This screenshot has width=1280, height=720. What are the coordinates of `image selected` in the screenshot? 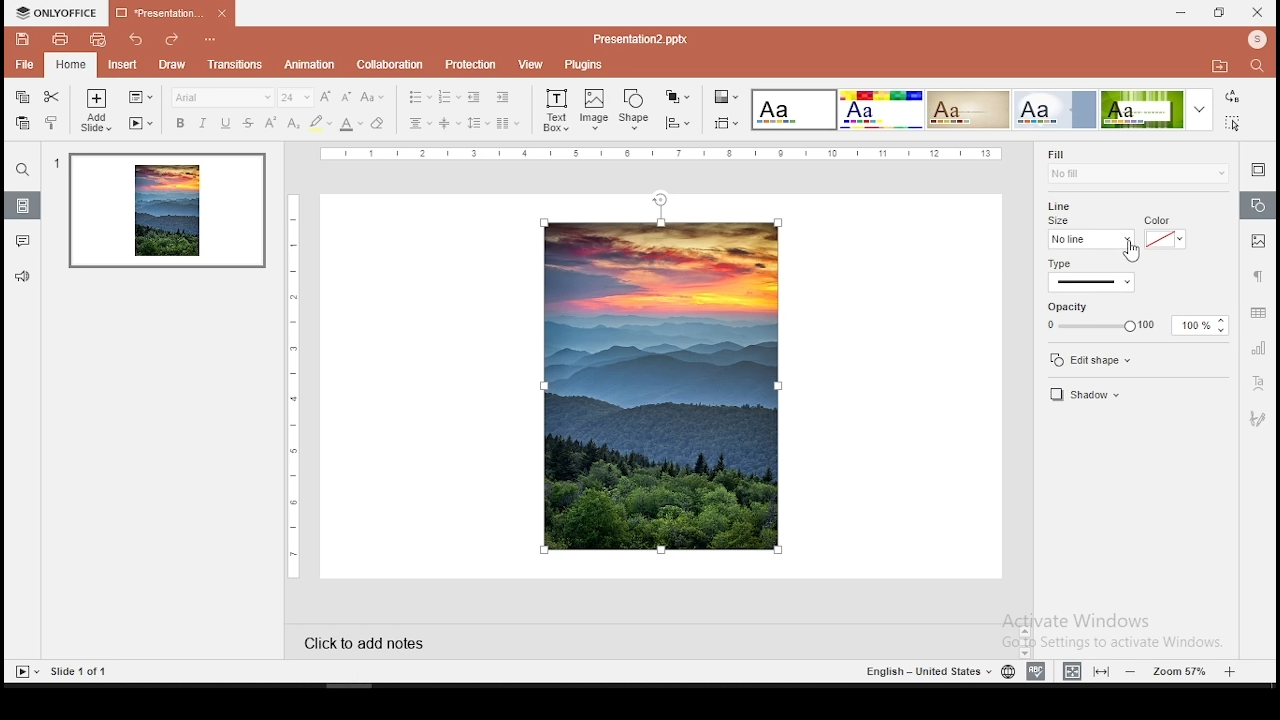 It's located at (662, 385).